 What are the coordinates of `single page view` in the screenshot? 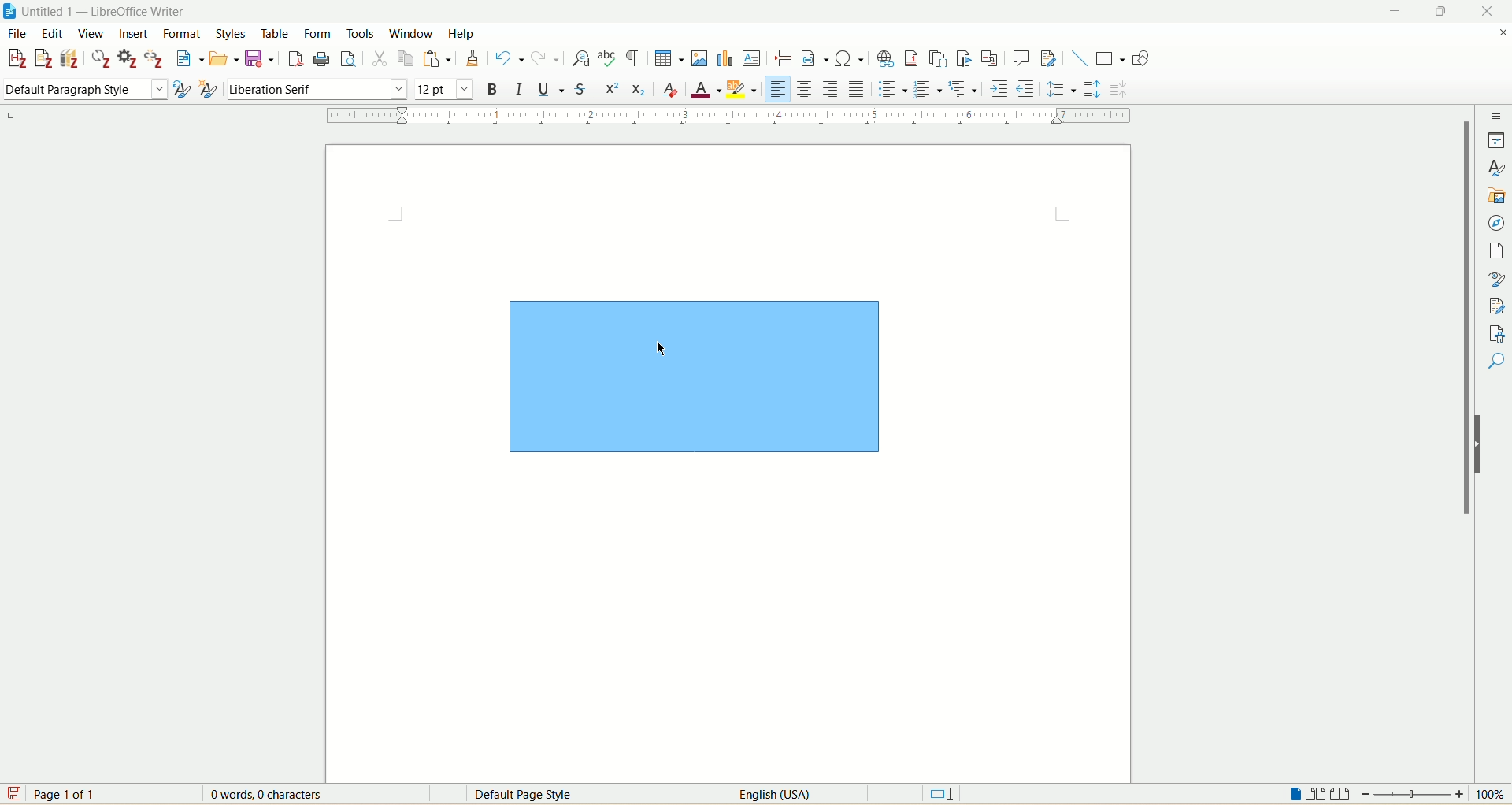 It's located at (1294, 794).